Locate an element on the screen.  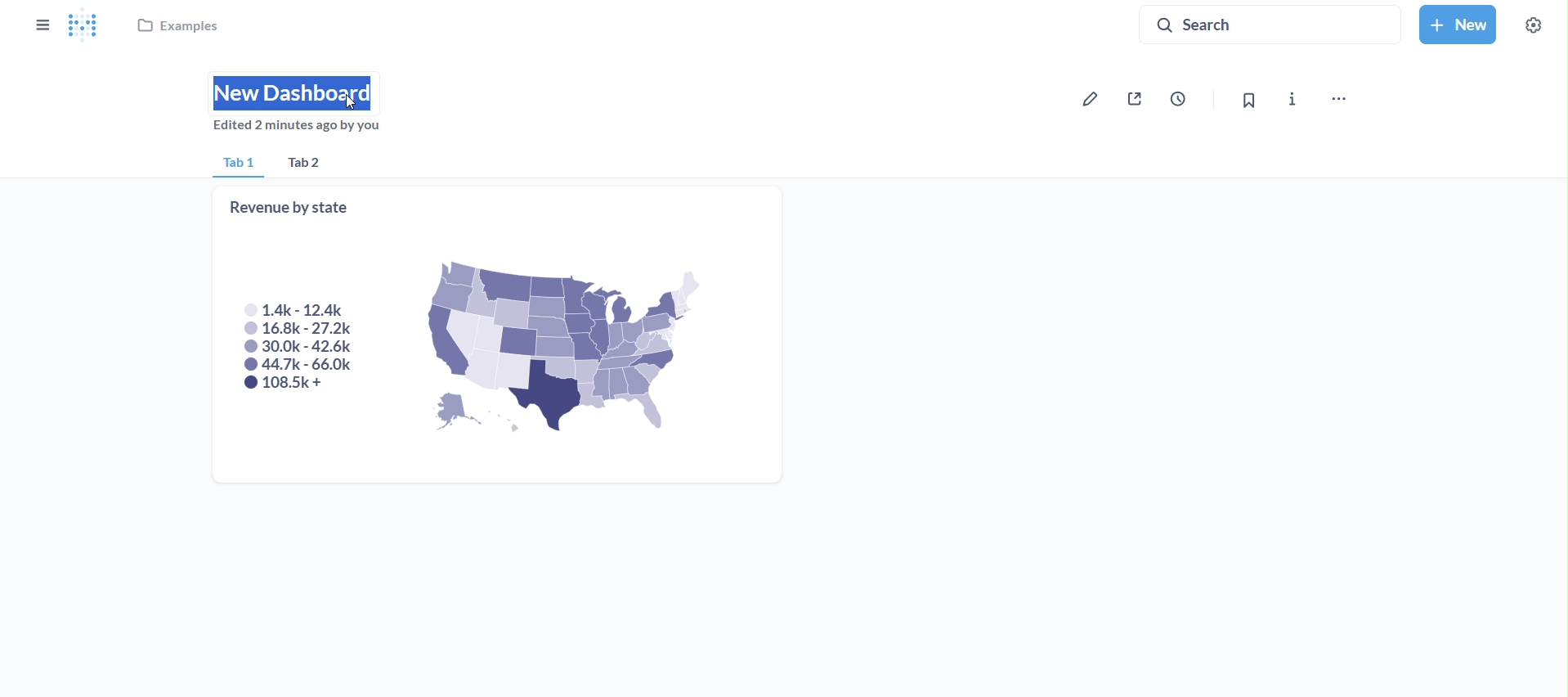
tab 1 is located at coordinates (237, 164).